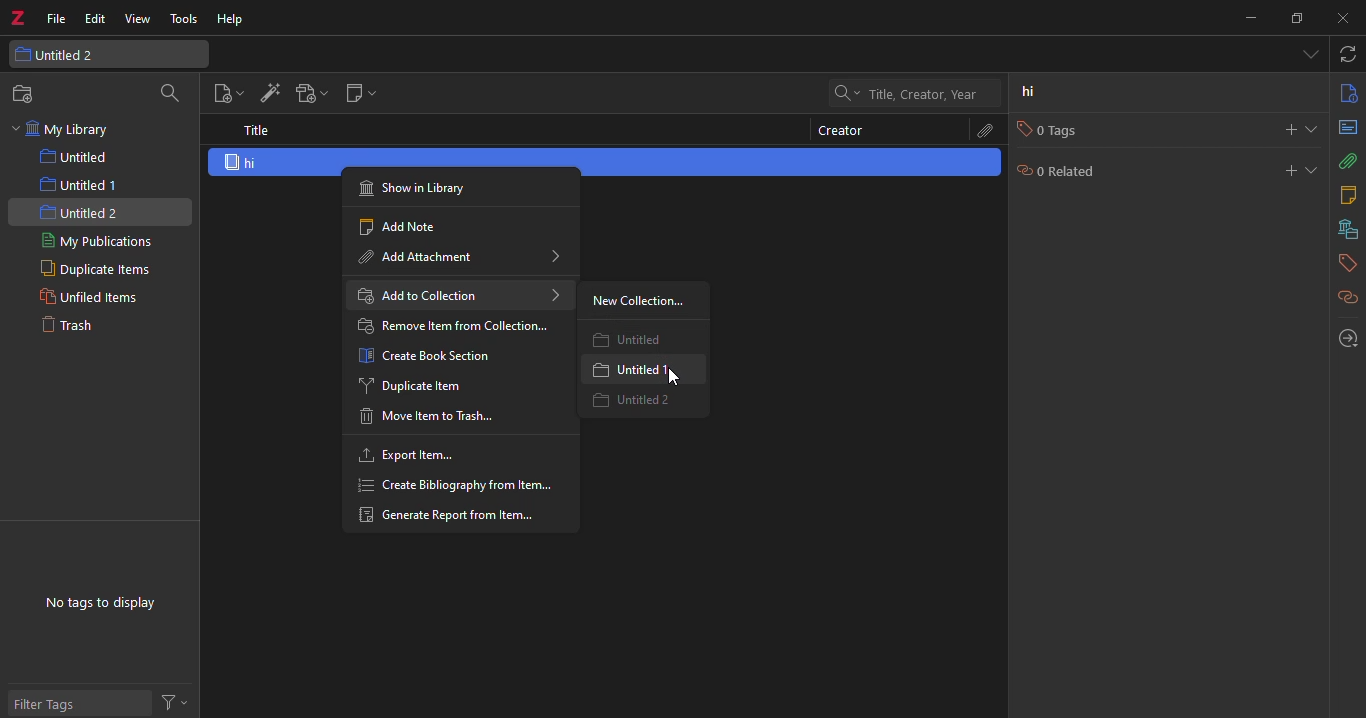  What do you see at coordinates (21, 19) in the screenshot?
I see `z` at bounding box center [21, 19].